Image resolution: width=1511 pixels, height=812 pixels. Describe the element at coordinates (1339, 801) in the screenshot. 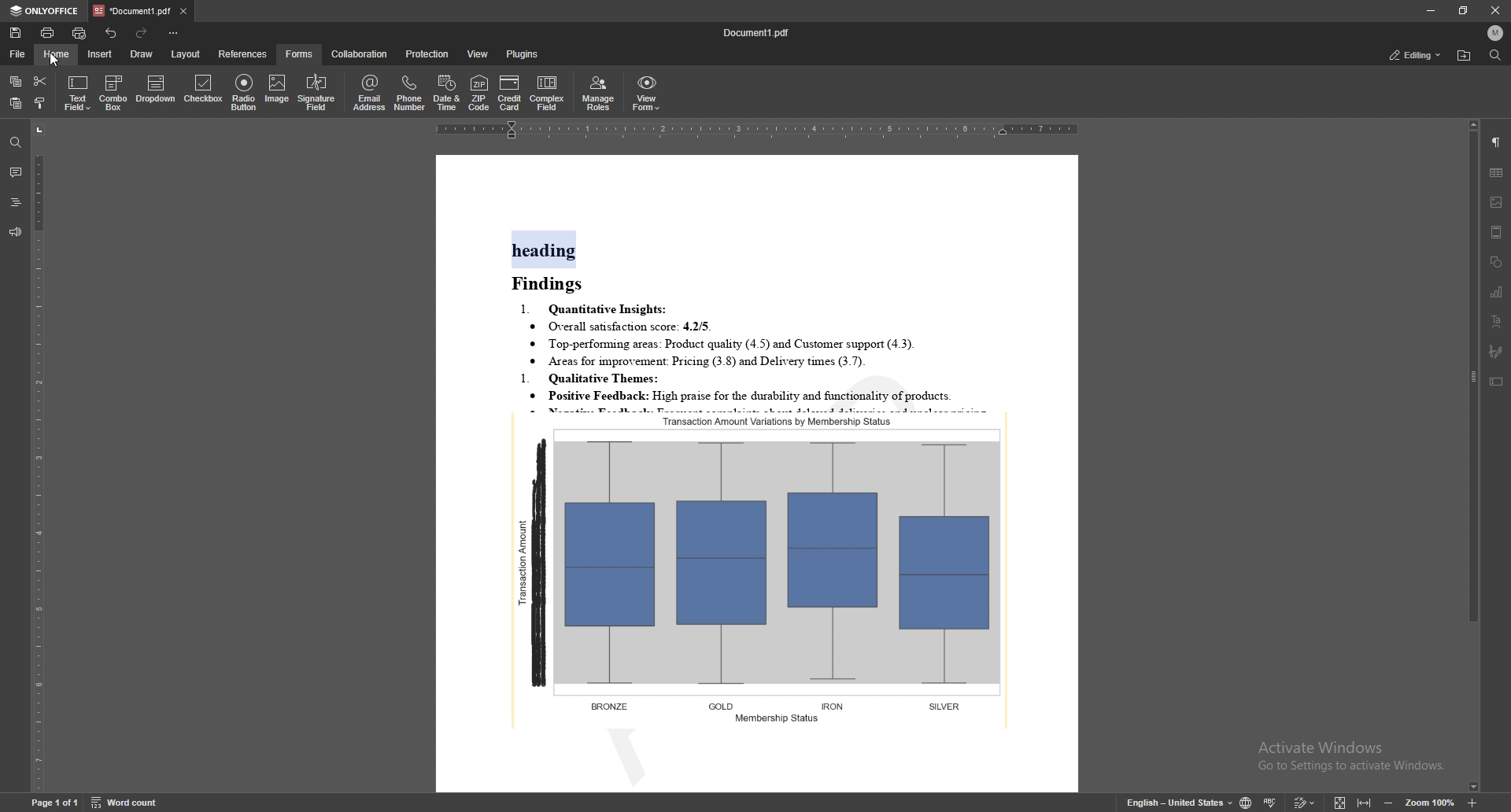

I see `fit to screen` at that location.